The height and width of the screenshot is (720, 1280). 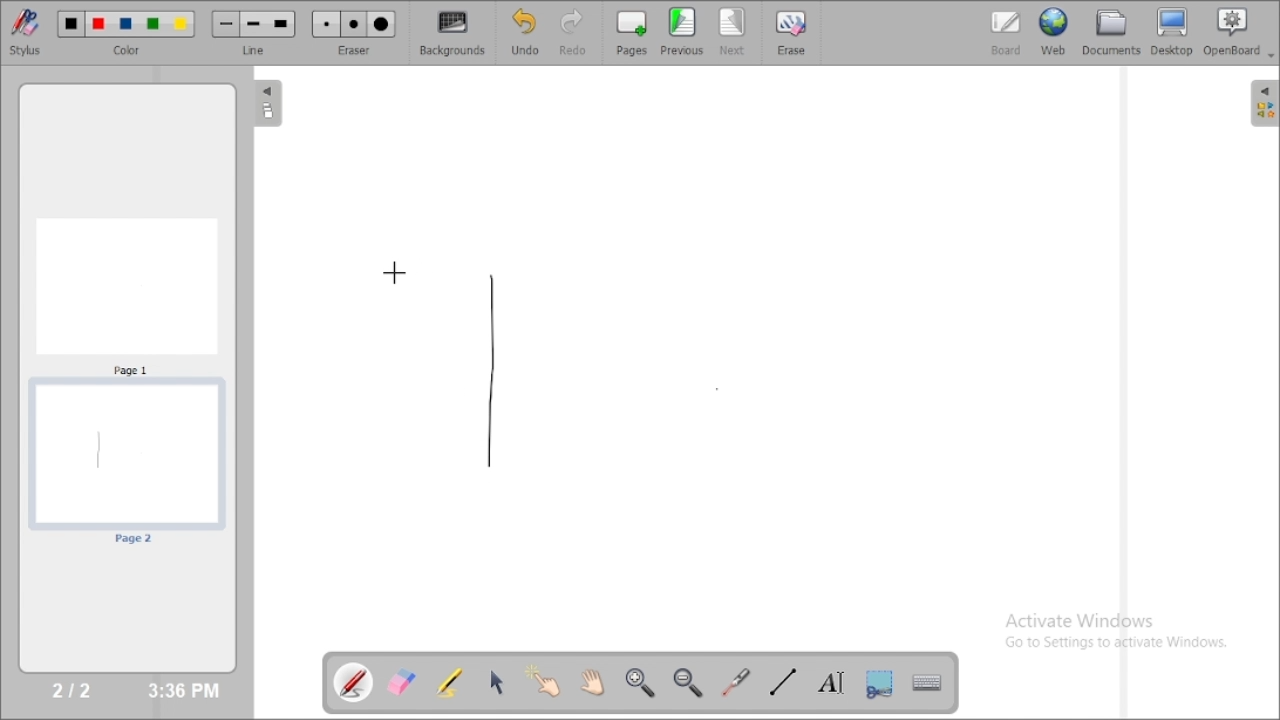 I want to click on desktop, so click(x=1173, y=32).